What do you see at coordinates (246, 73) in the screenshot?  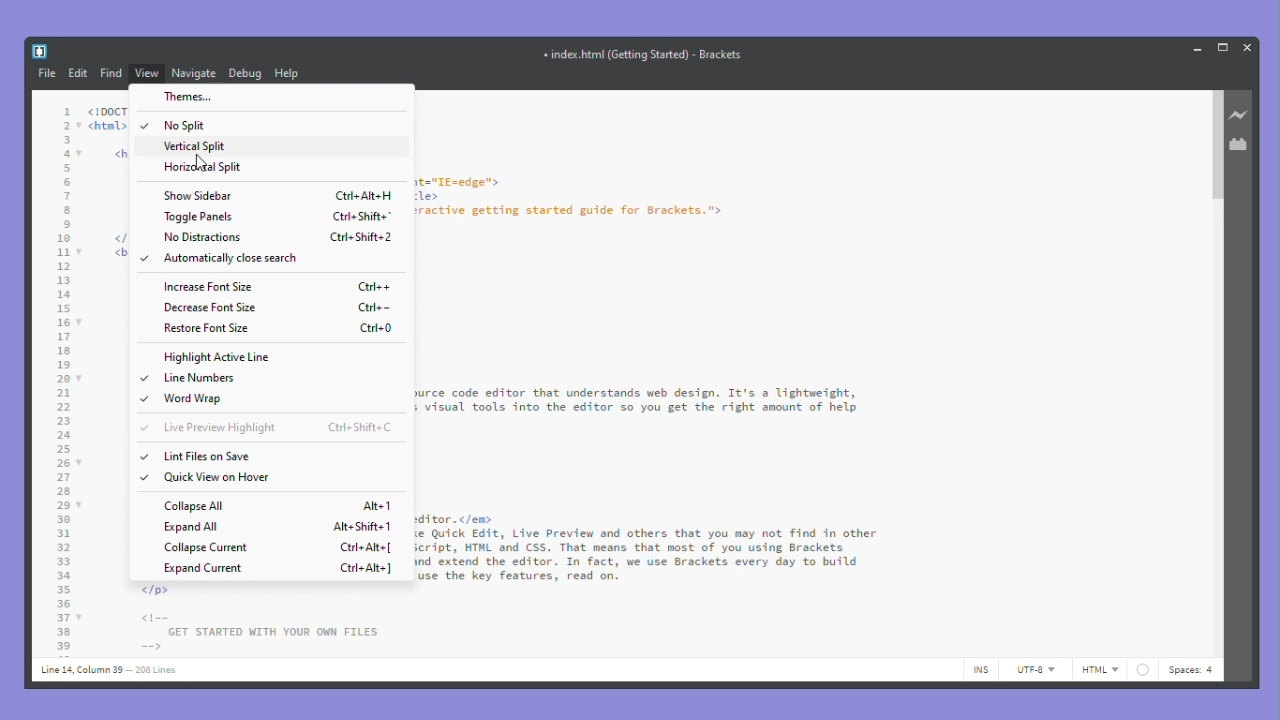 I see `Debug` at bounding box center [246, 73].